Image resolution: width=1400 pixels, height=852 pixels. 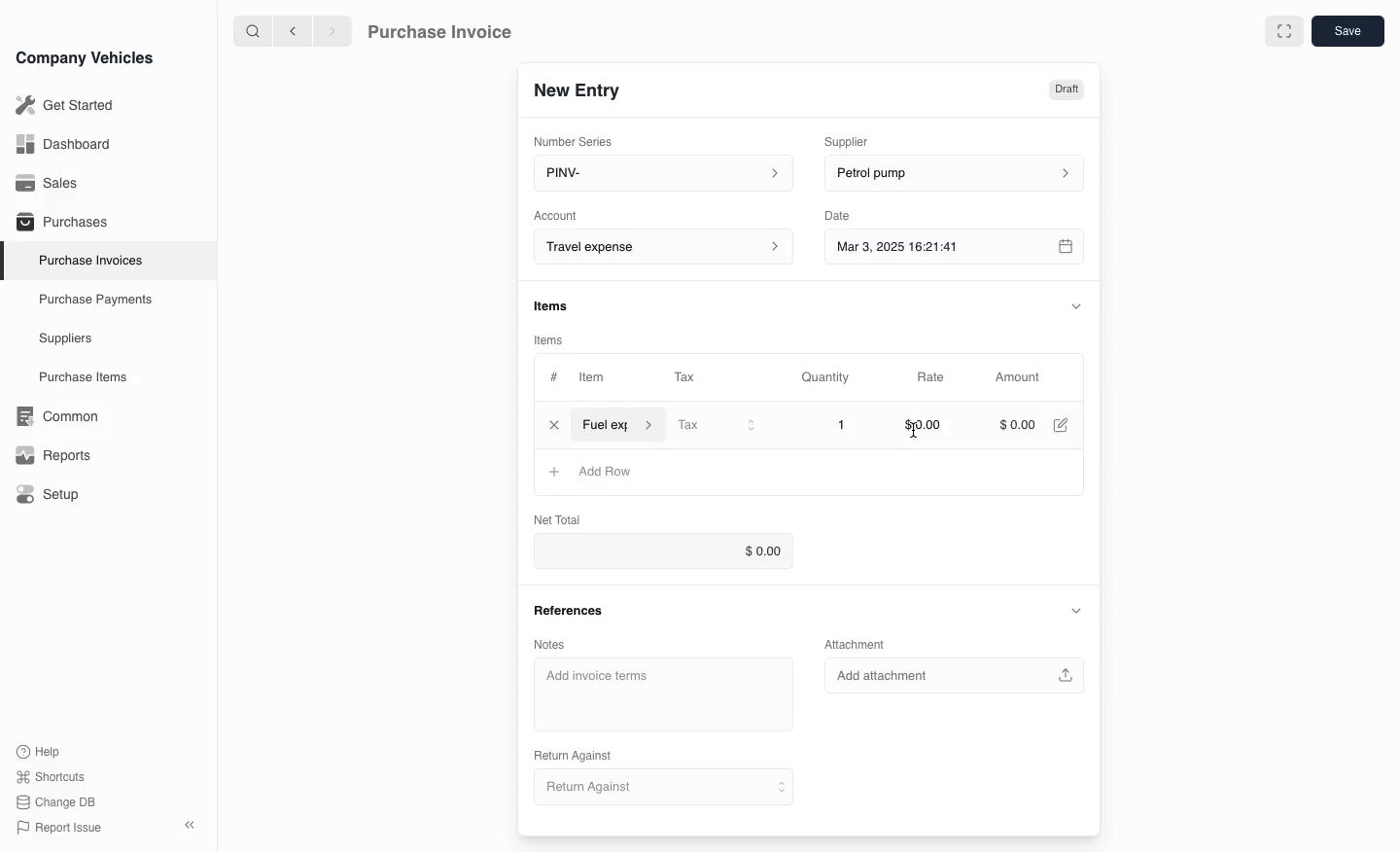 What do you see at coordinates (660, 788) in the screenshot?
I see `Return Against` at bounding box center [660, 788].